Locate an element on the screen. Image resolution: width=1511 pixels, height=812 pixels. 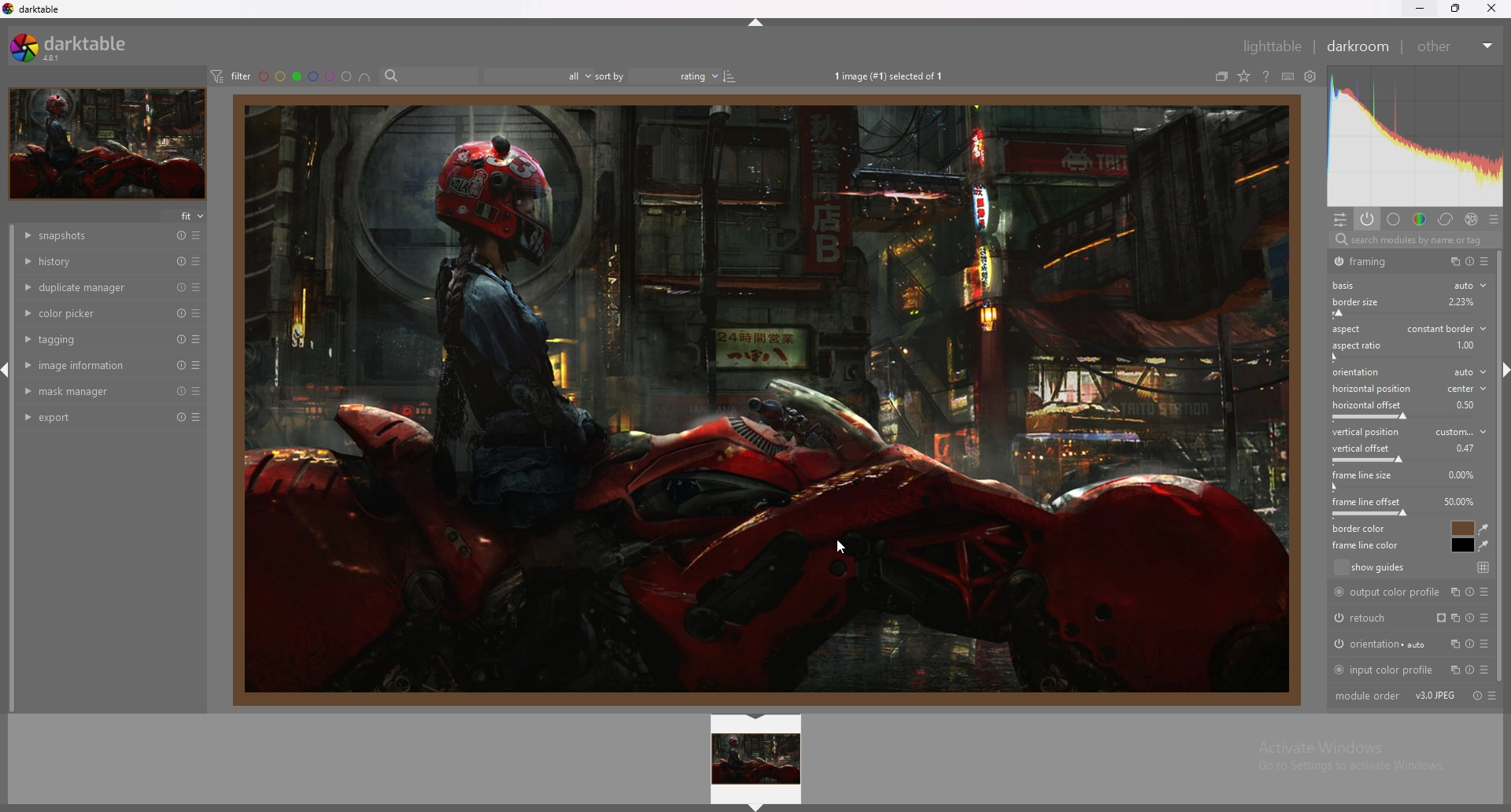
presets is located at coordinates (197, 365).